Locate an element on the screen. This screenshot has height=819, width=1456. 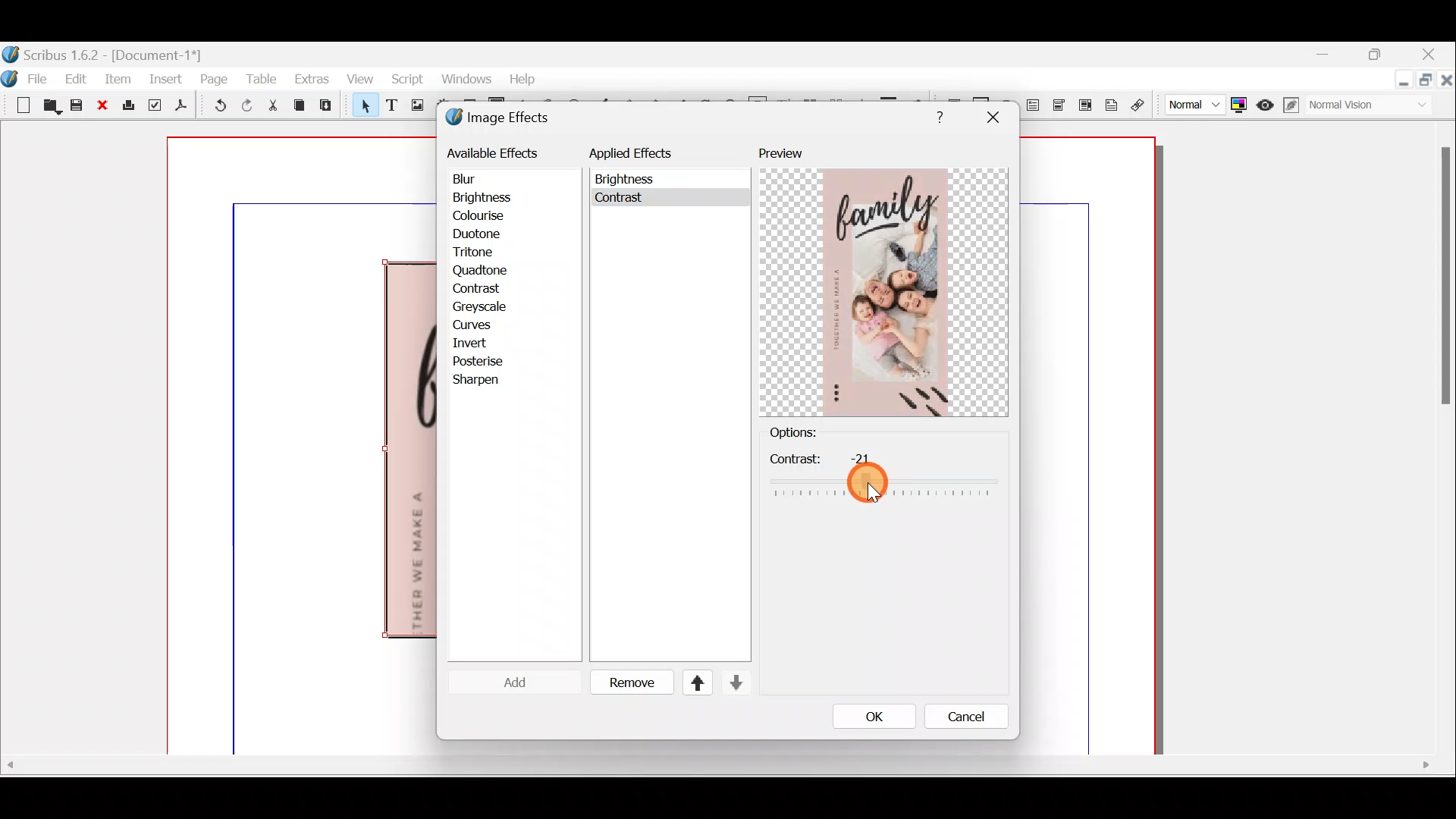
Move down is located at coordinates (734, 682).